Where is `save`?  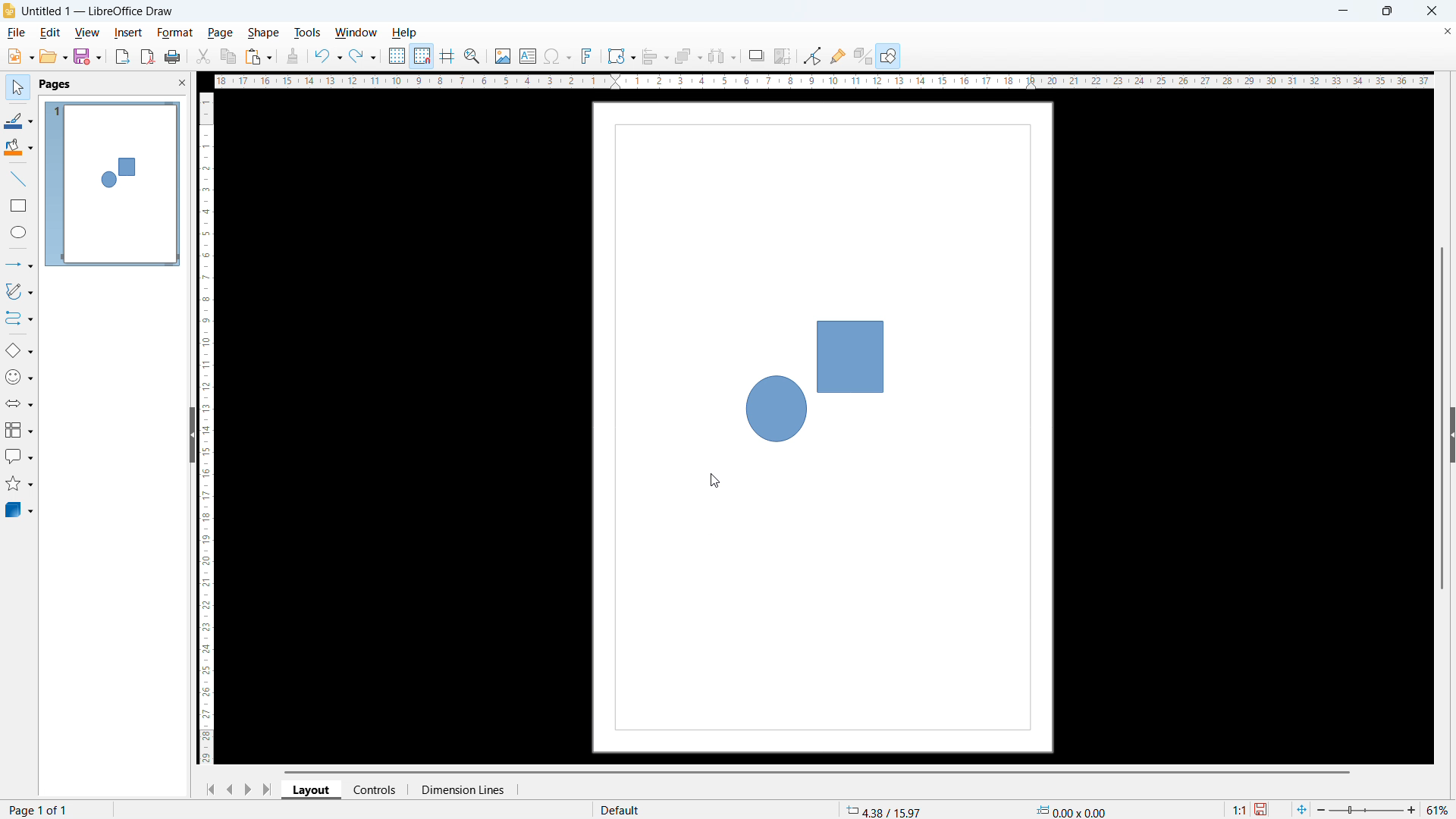
save is located at coordinates (1263, 810).